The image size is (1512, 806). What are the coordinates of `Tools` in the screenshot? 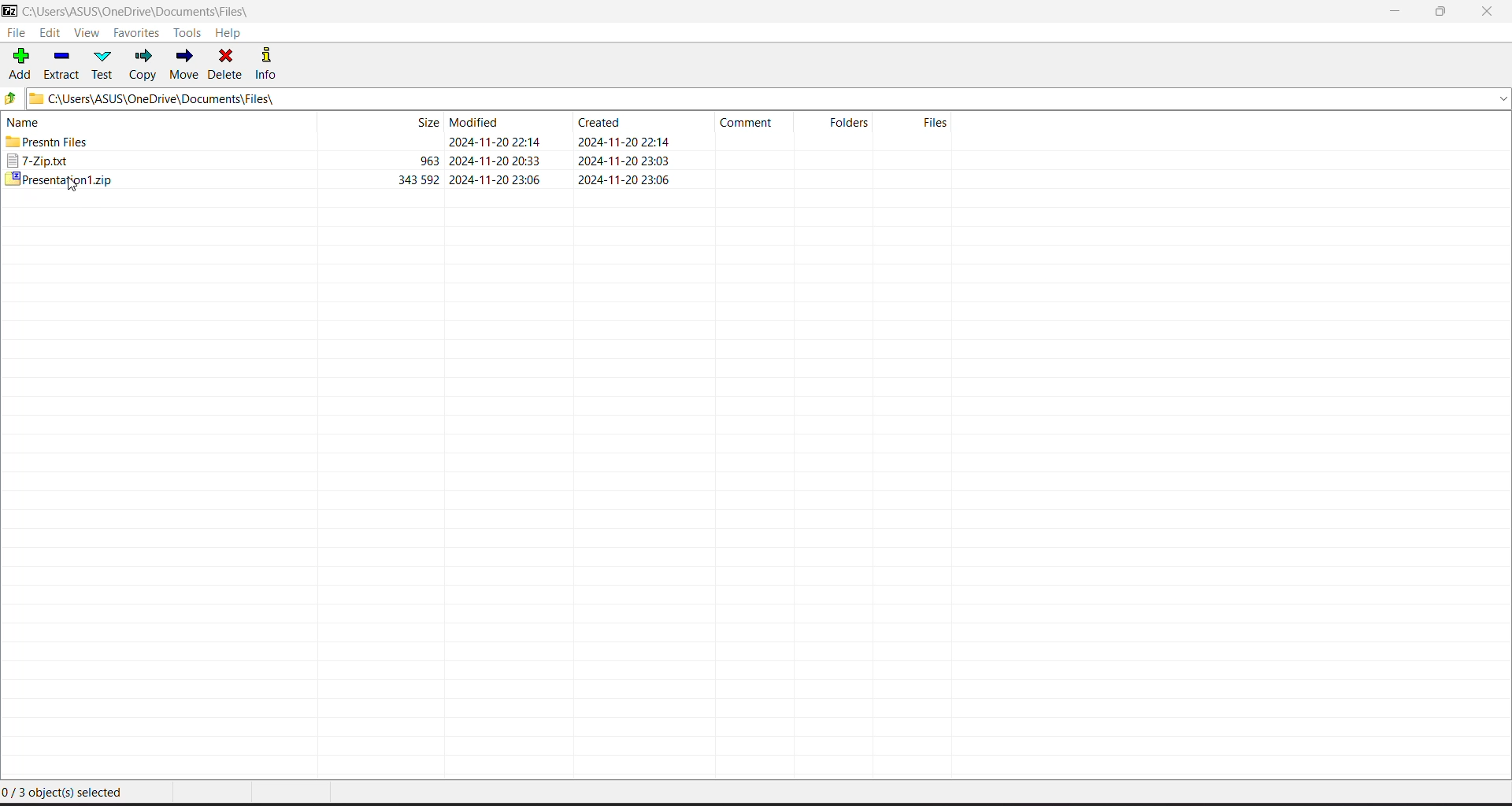 It's located at (190, 32).